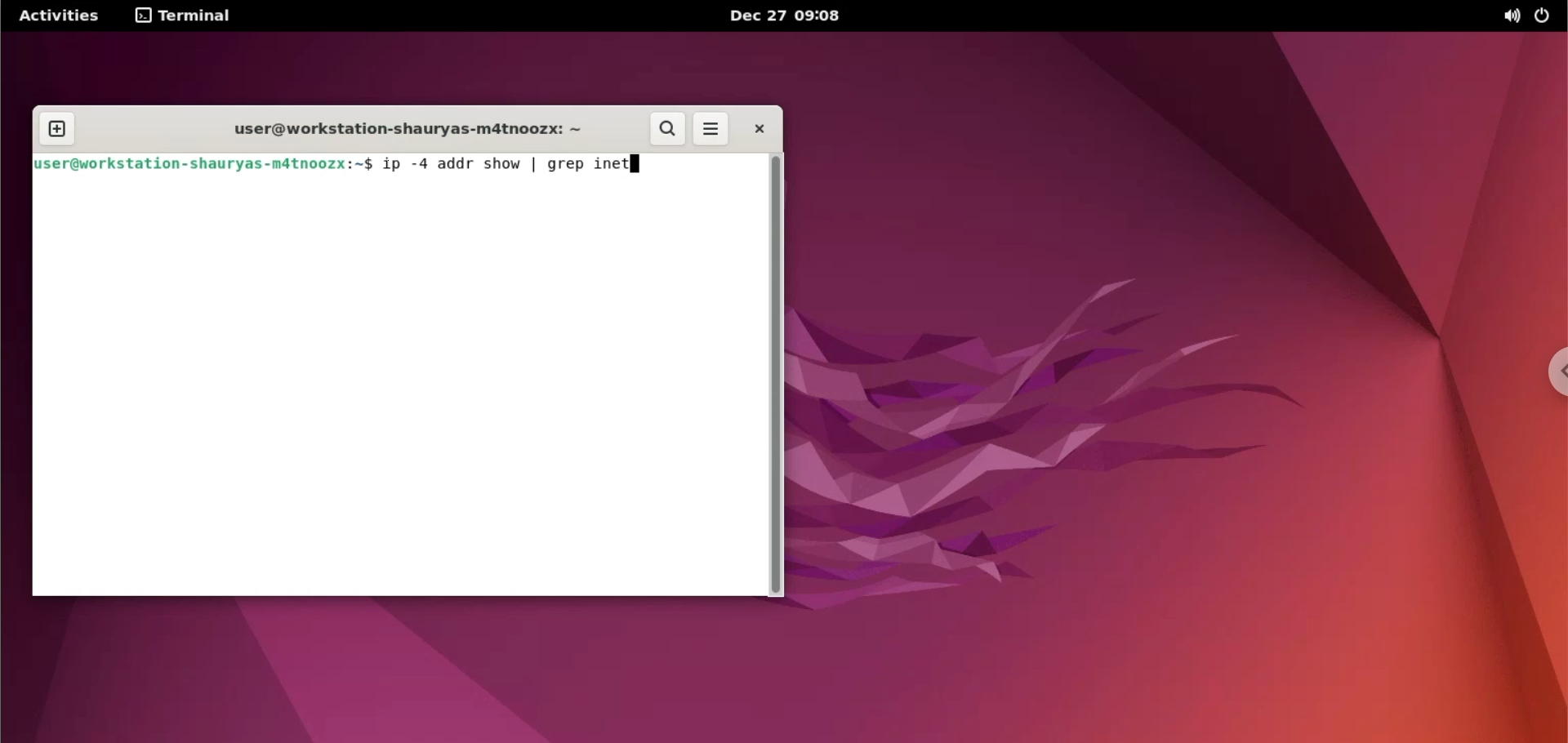 The height and width of the screenshot is (743, 1568). Describe the element at coordinates (1508, 16) in the screenshot. I see `sound options` at that location.